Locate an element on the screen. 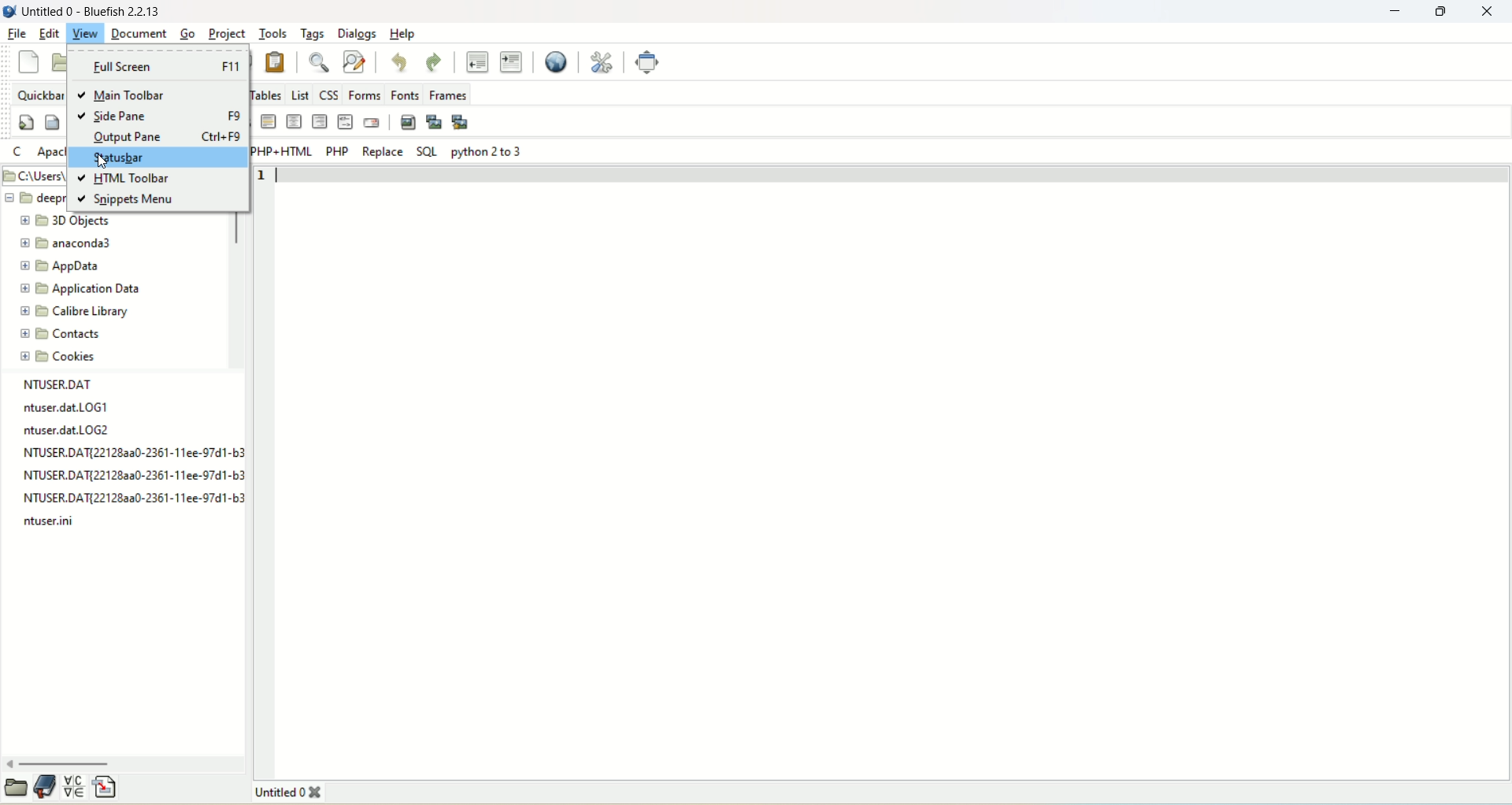  PHP+HTML is located at coordinates (280, 151).